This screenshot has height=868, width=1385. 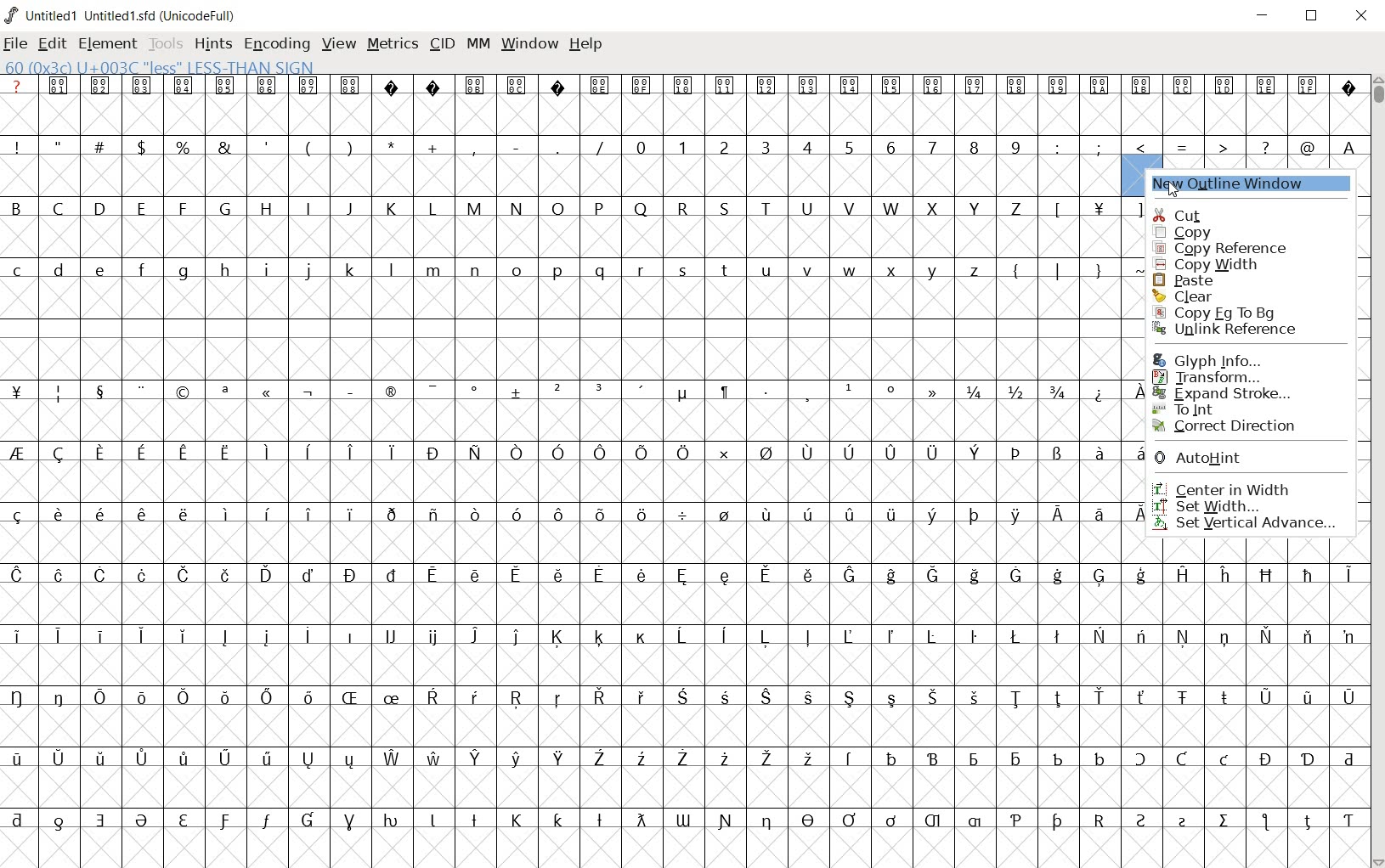 I want to click on hints, so click(x=212, y=45).